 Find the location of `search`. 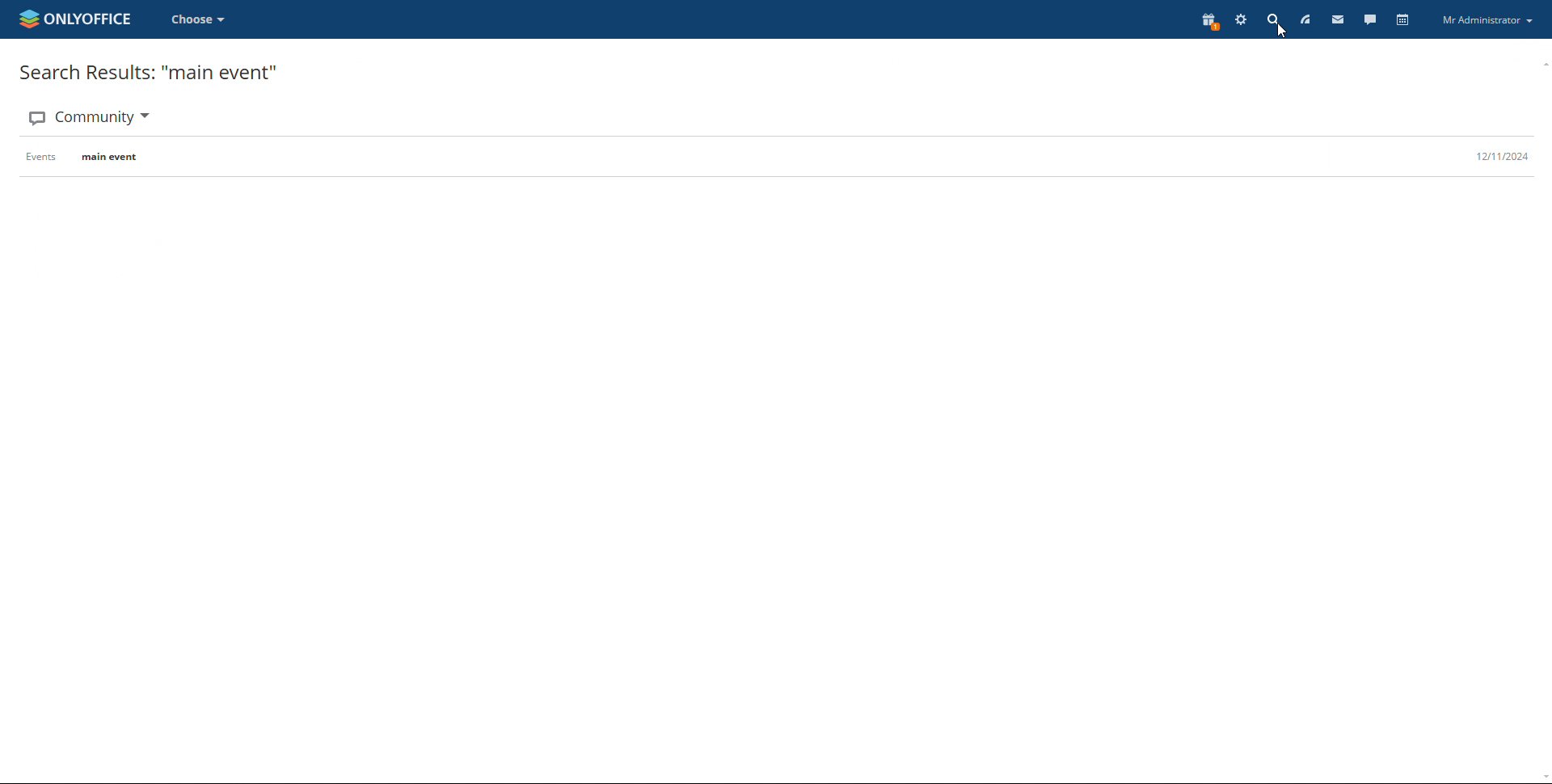

search is located at coordinates (1272, 19).